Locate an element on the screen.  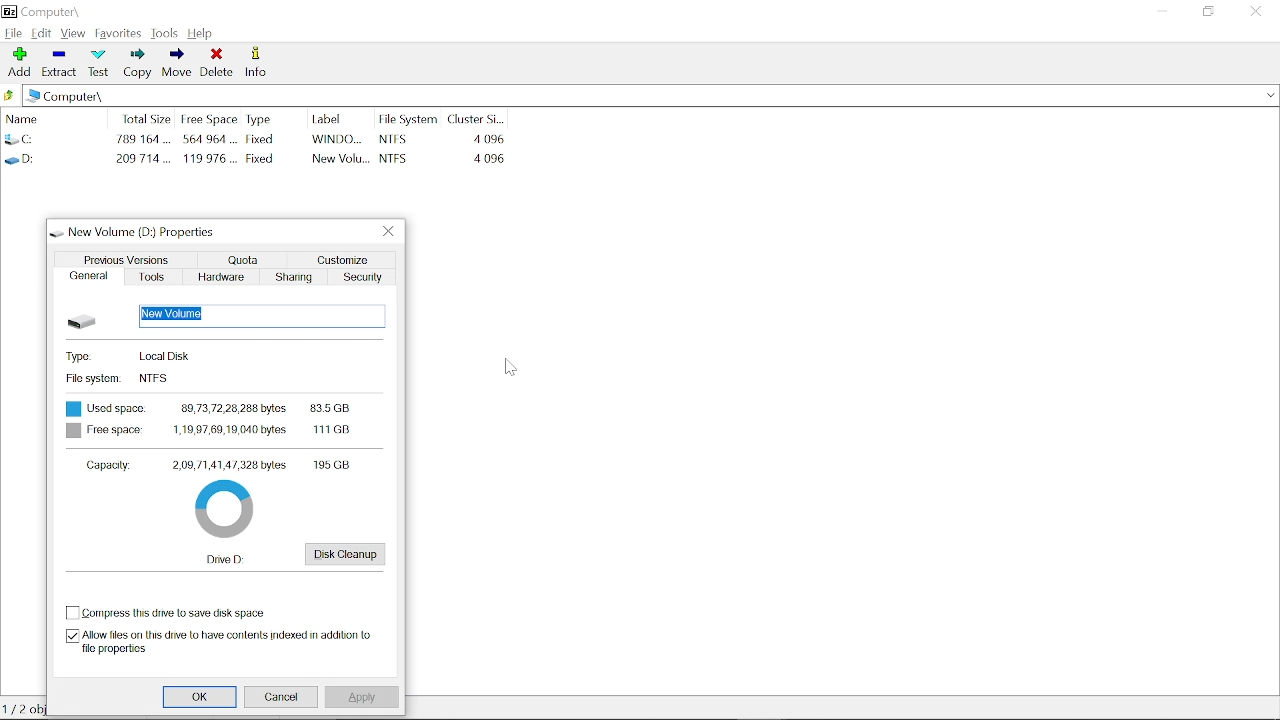
look is located at coordinates (166, 33).